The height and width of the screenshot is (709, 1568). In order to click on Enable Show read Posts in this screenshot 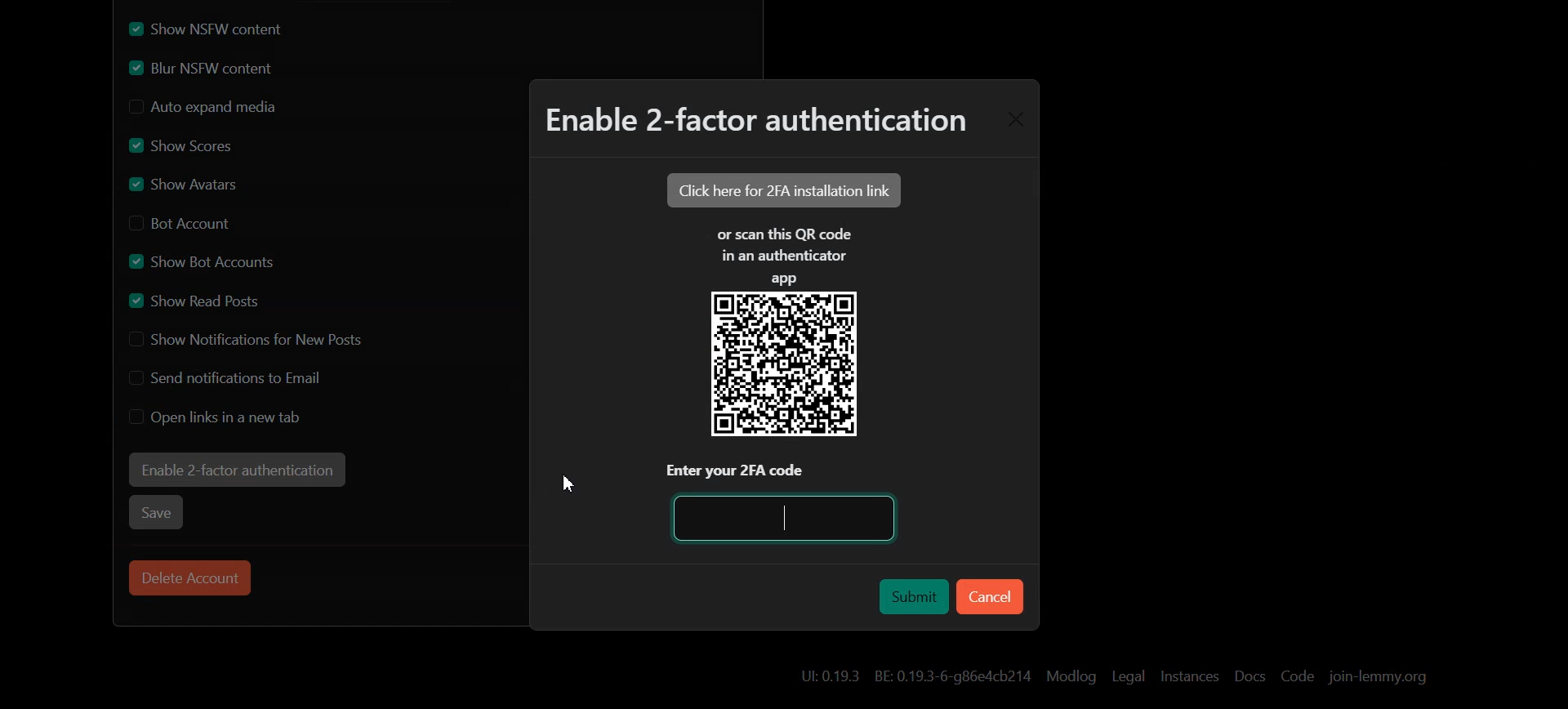, I will do `click(203, 300)`.